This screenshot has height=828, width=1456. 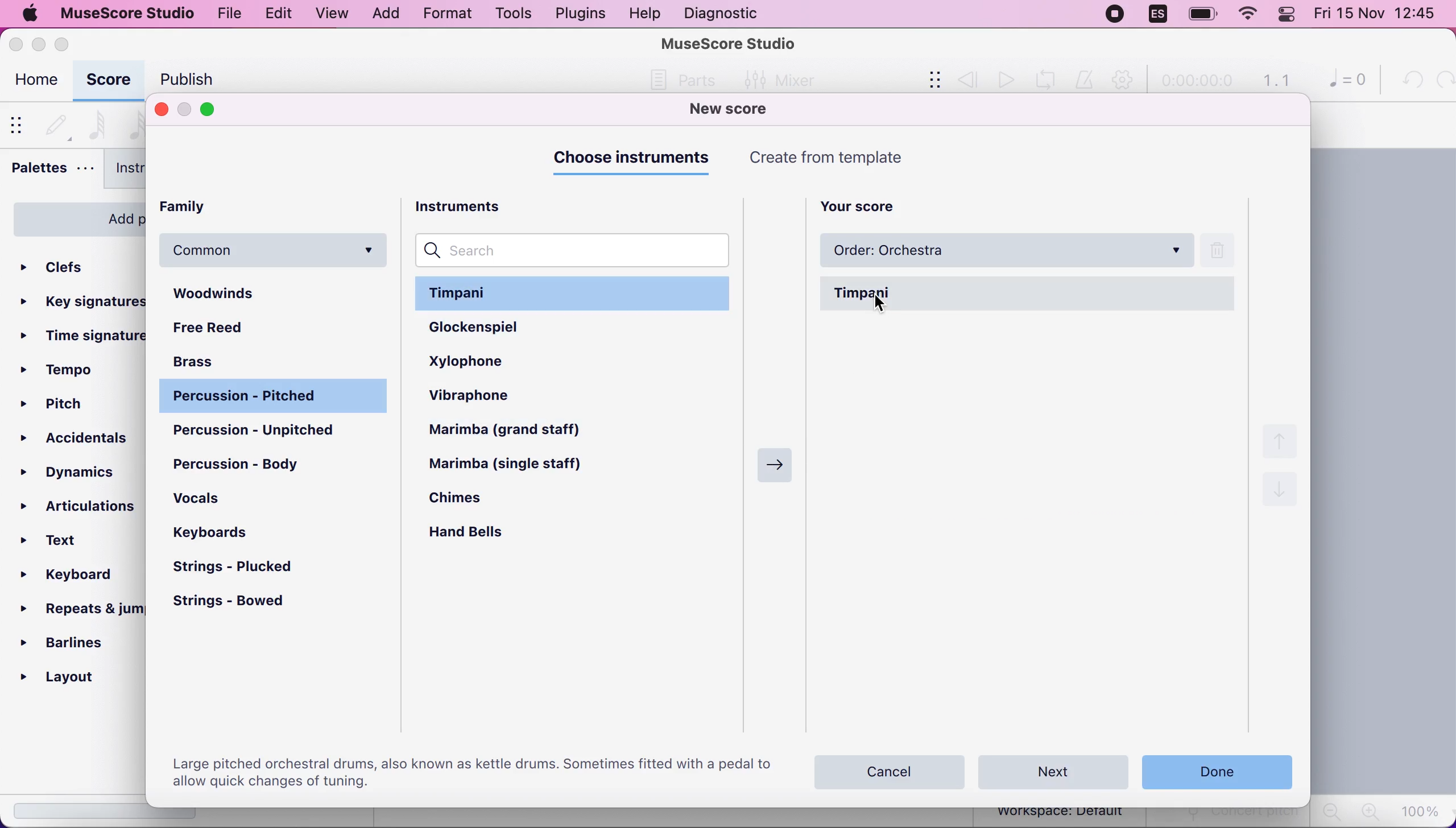 I want to click on strings - plucked, so click(x=241, y=568).